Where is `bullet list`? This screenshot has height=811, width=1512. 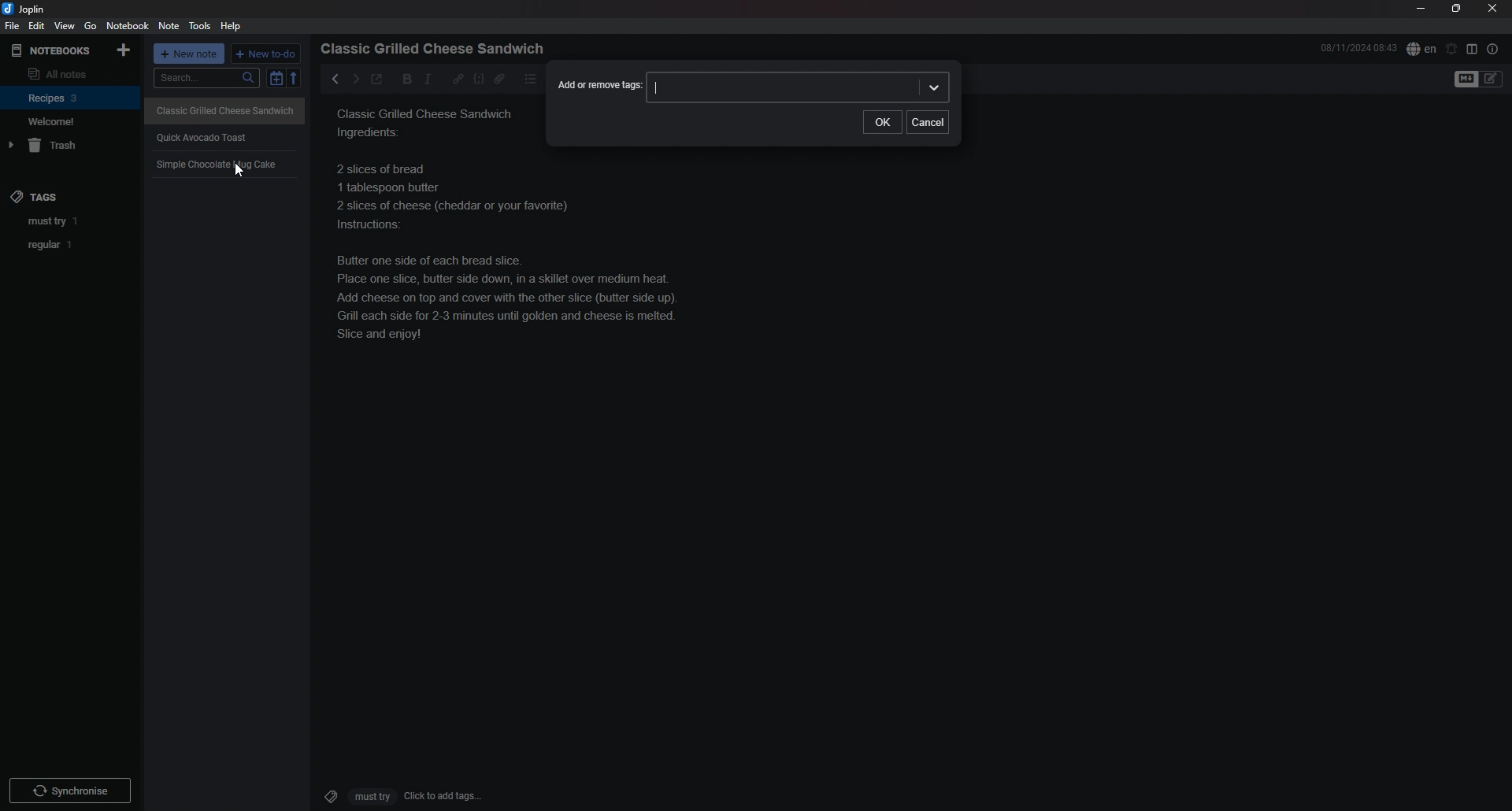 bullet list is located at coordinates (531, 79).